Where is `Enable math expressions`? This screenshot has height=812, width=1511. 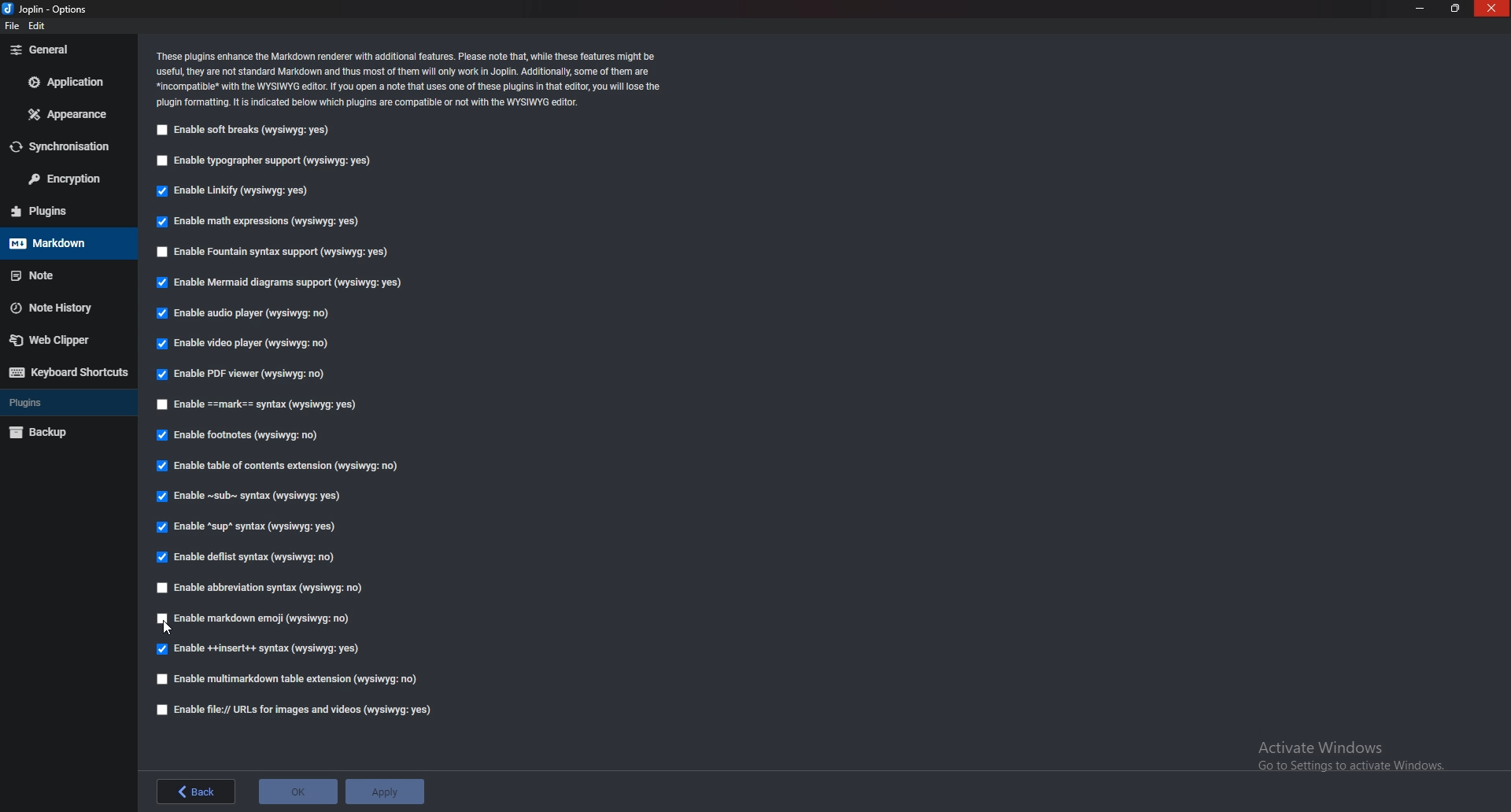
Enable math expressions is located at coordinates (260, 224).